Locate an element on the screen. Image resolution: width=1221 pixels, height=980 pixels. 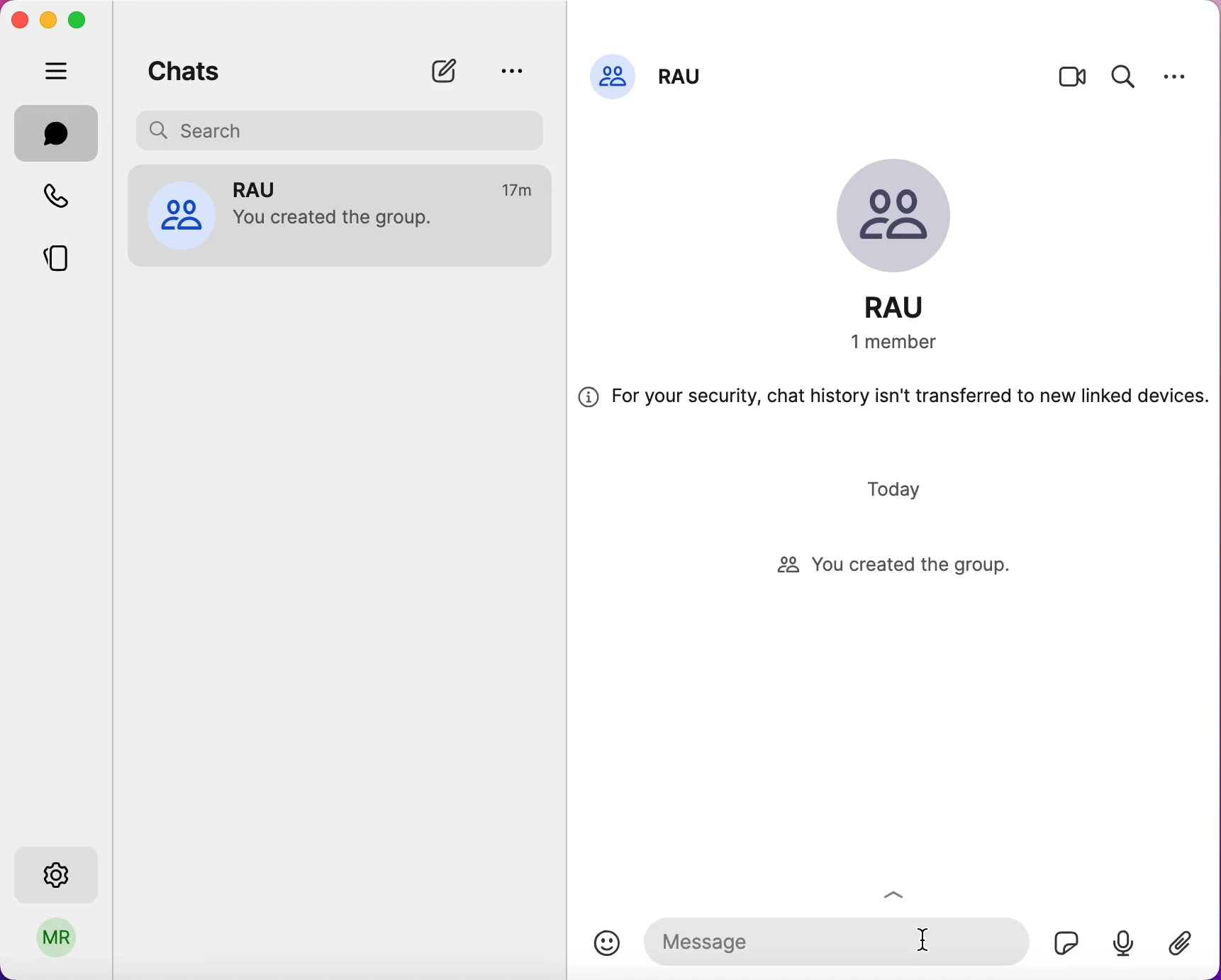
hide bar is located at coordinates (60, 72).